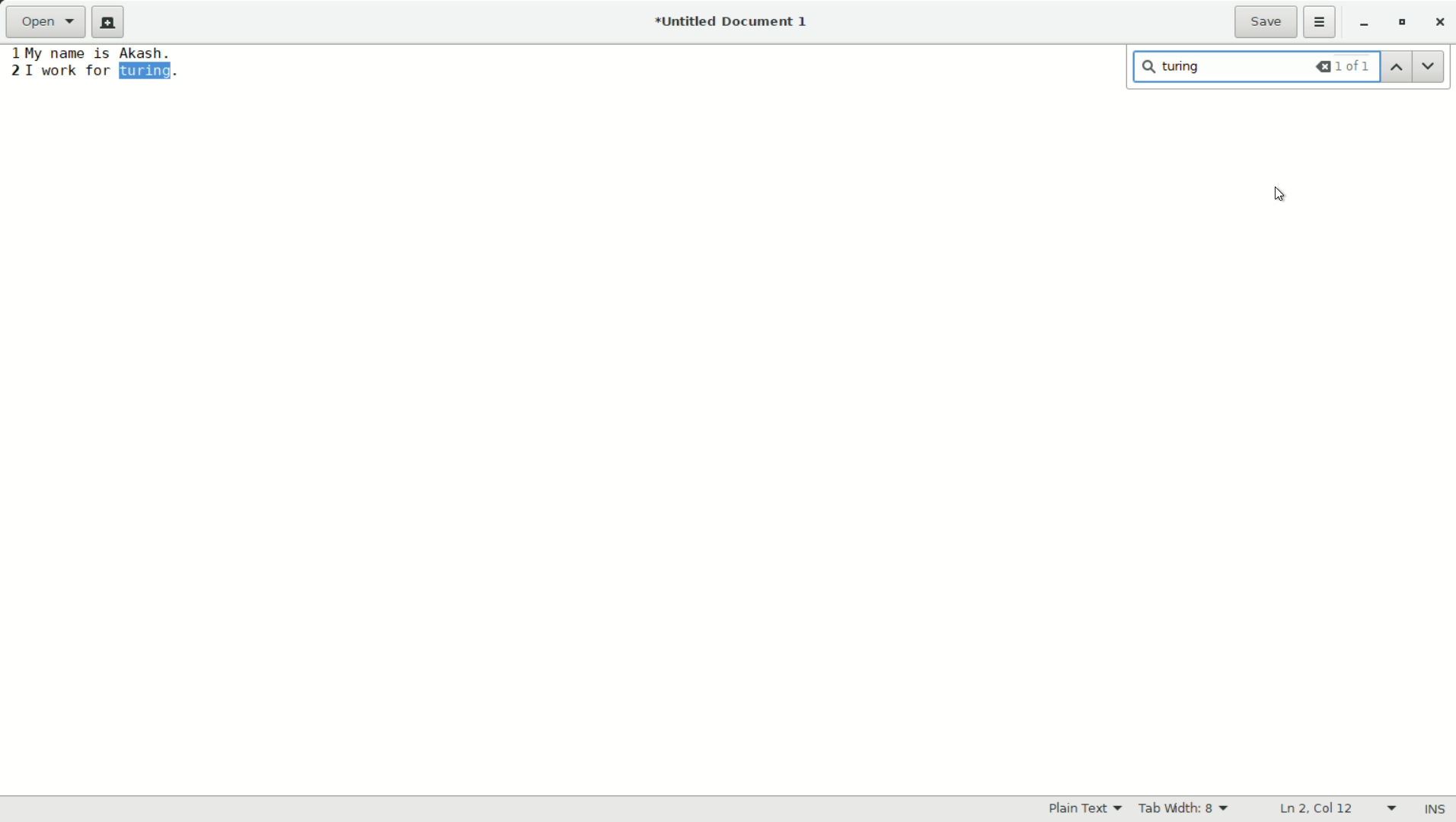 This screenshot has width=1456, height=822. Describe the element at coordinates (1087, 809) in the screenshot. I see `plain text` at that location.